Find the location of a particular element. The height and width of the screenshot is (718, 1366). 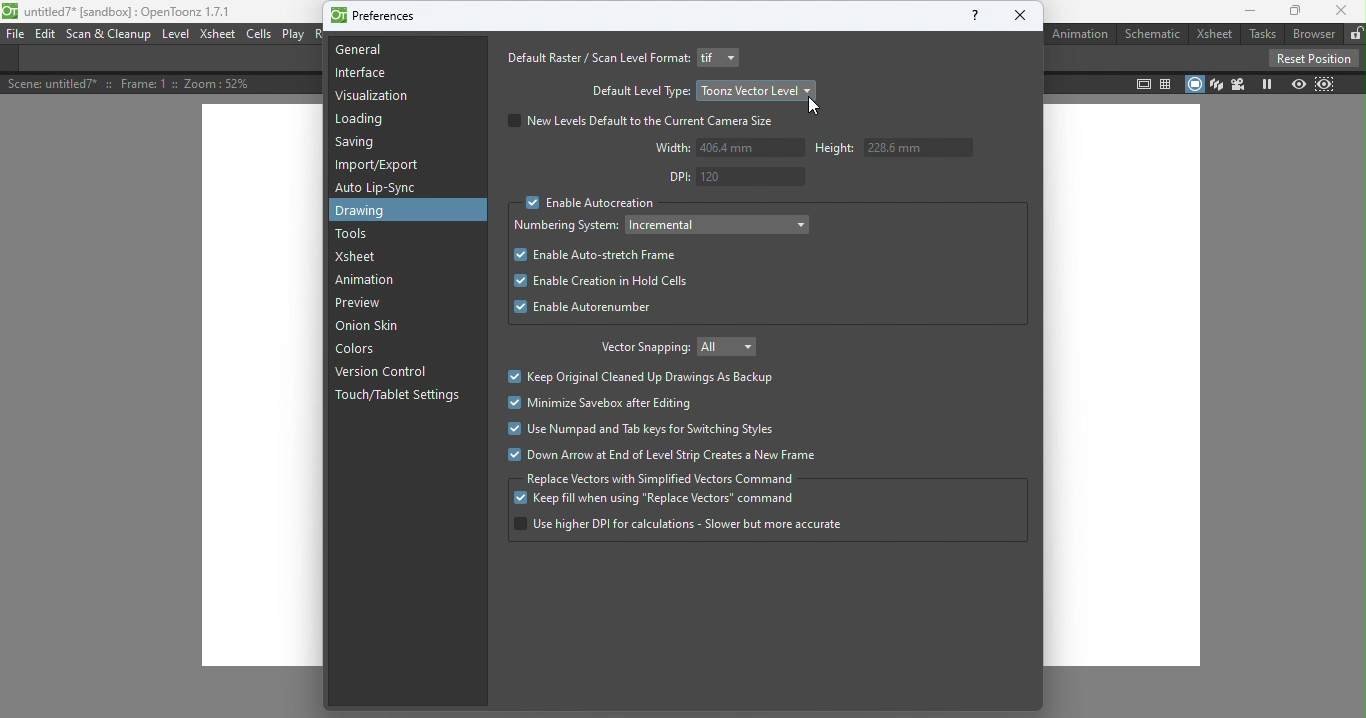

Toonz vector level is located at coordinates (757, 89).